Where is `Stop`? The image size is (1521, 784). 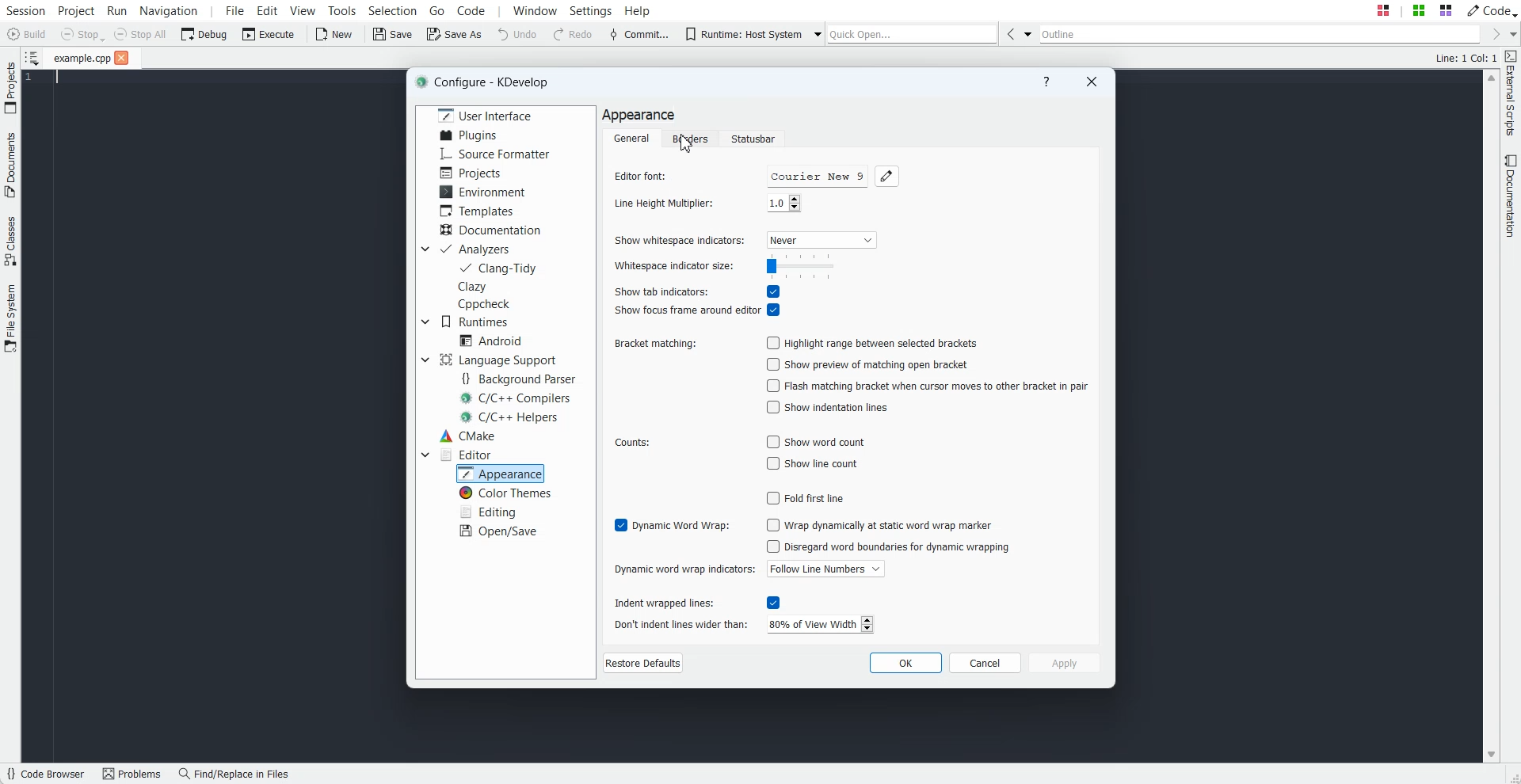 Stop is located at coordinates (82, 35).